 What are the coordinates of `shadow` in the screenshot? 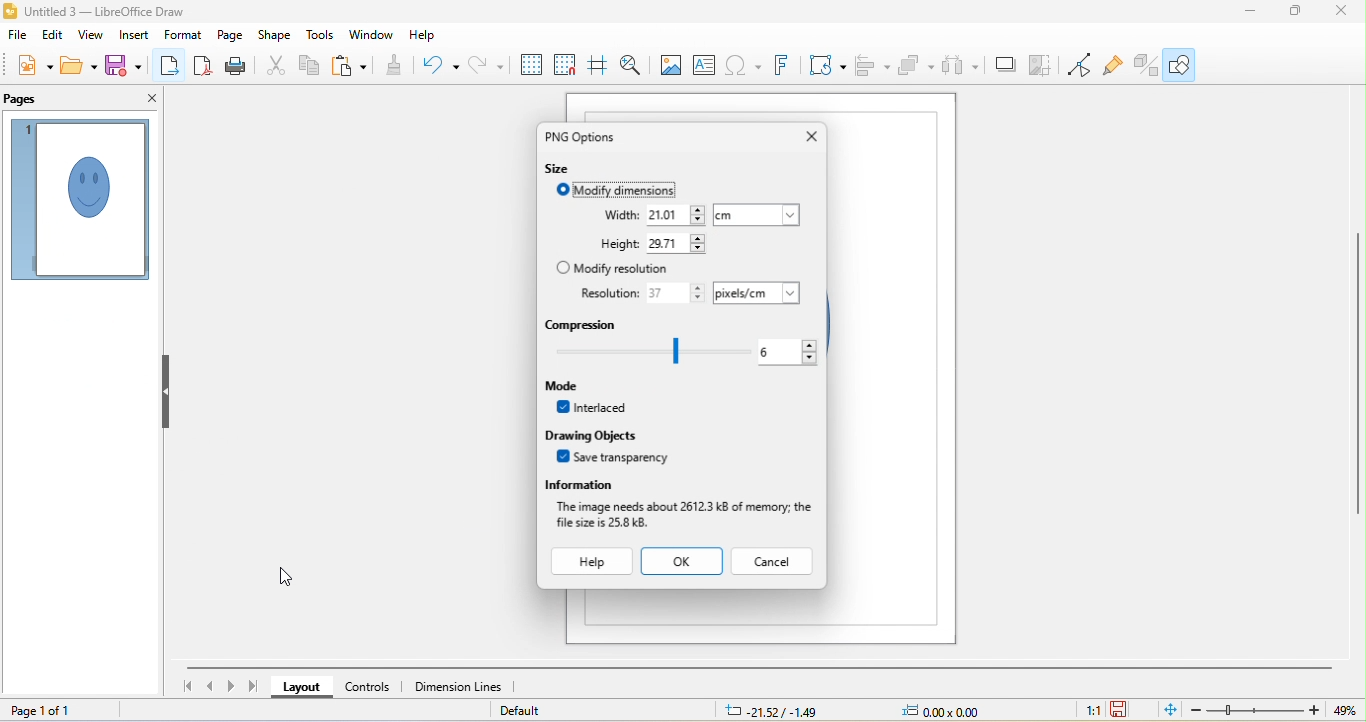 It's located at (1003, 63).